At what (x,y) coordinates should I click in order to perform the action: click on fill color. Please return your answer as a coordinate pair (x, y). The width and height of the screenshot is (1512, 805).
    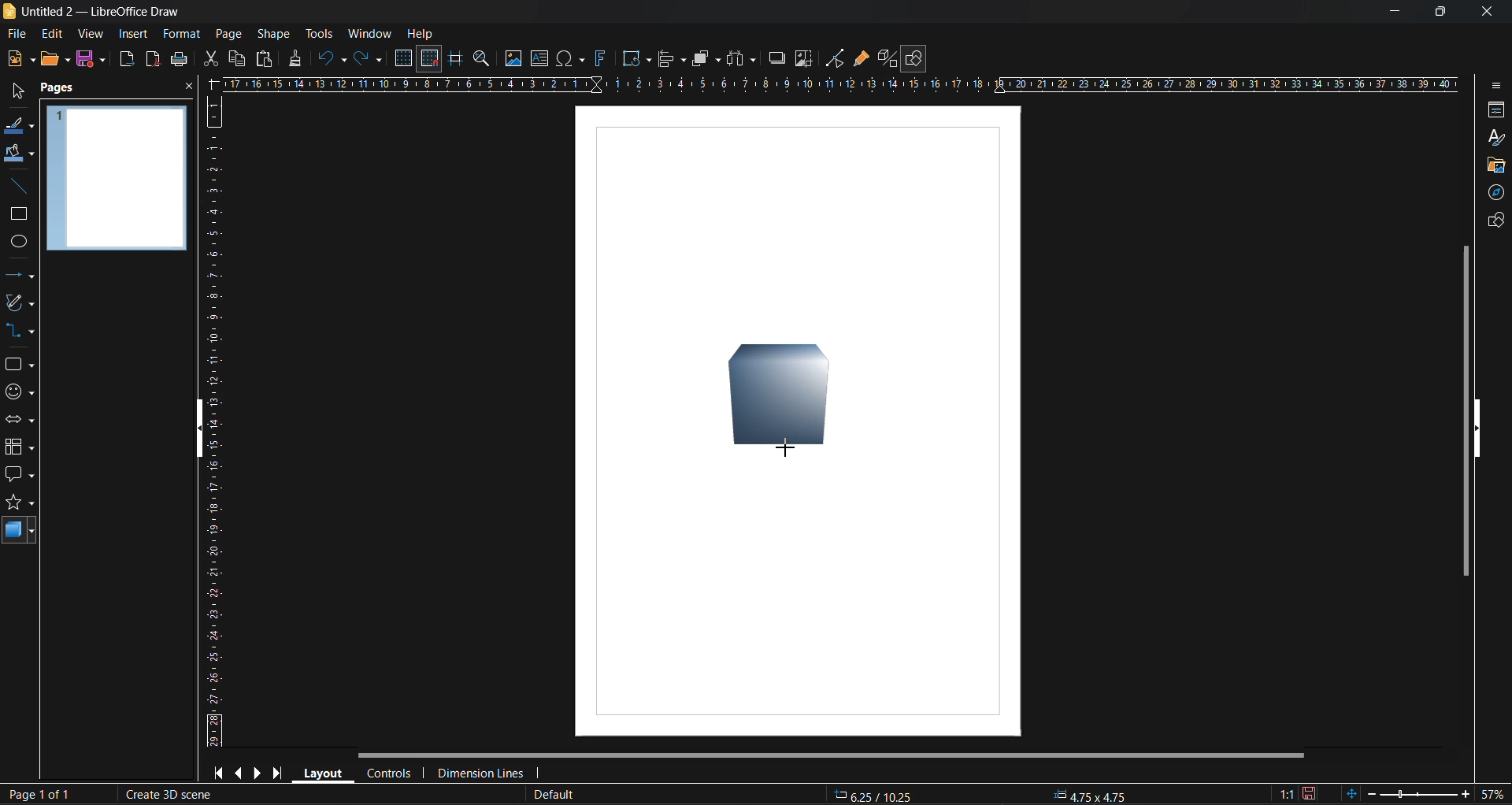
    Looking at the image, I should click on (19, 154).